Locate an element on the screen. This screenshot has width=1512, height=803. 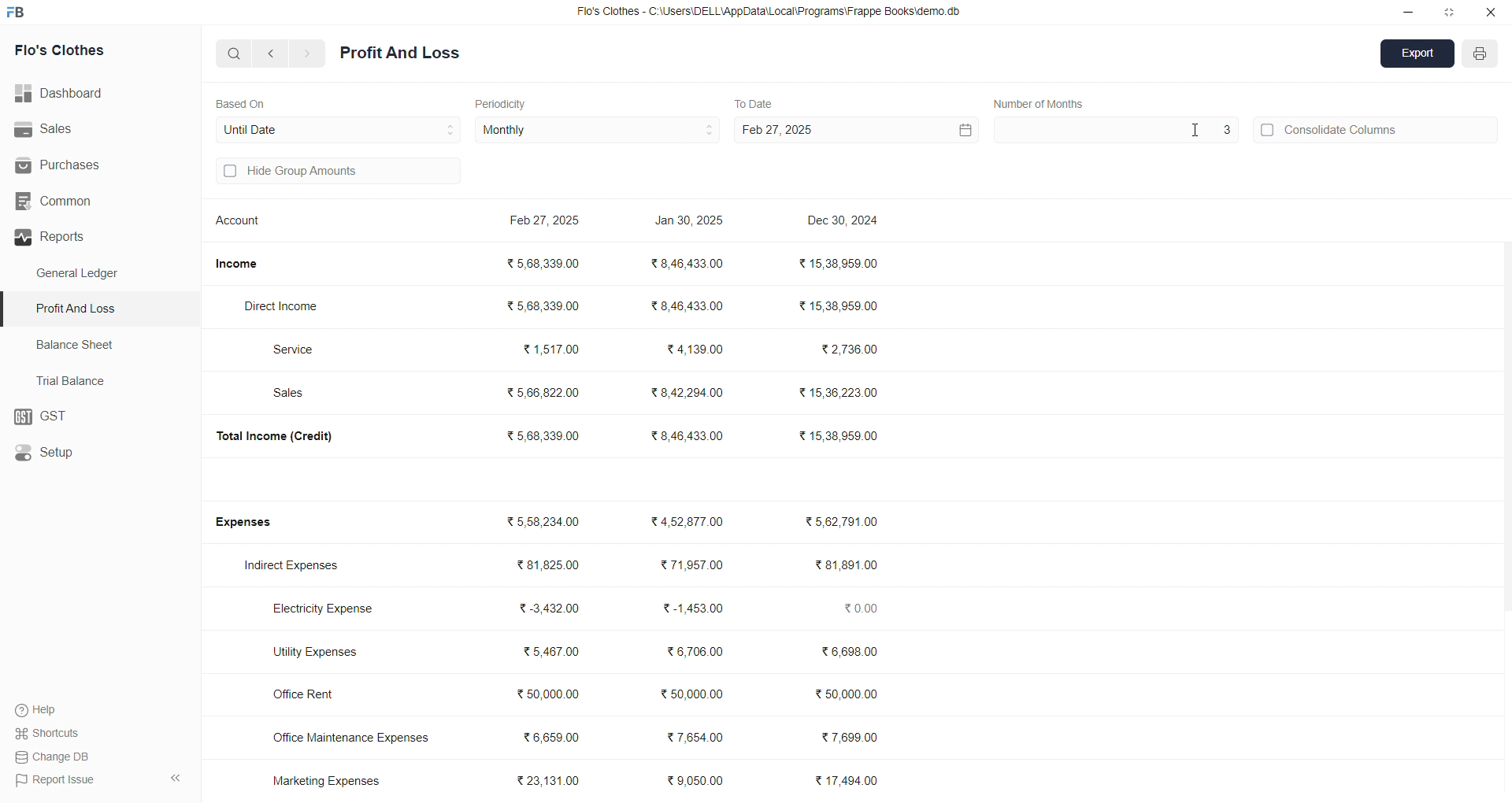
₹ 17,494.00 is located at coordinates (849, 780).